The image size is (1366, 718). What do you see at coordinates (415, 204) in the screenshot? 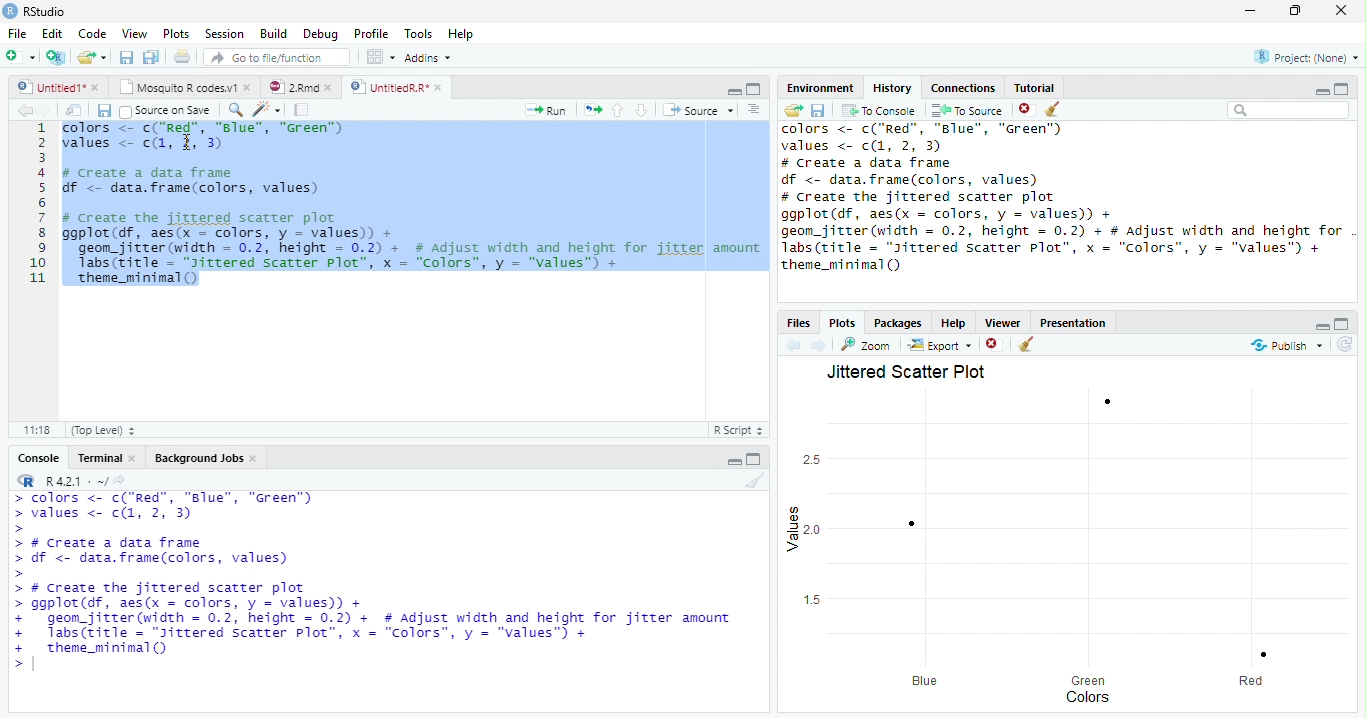
I see `Chlars <= c{ NaS’, Bias", "Wren

values <- (1, 2, 3

¢ Create a data frame

Sf < data.frame(colors, values)

# Create the jittered scatter plot

Ggp1ot (df, aes(x = colors, y = values) +
geom_jitrer (width = 0.2, height = 0.2) + # Adjust width and height for jitter amount
Tabs(zitle = "yitrered Scatter Plot’, x = “Colors”, y = "values”) +
theme_minimal ()` at bounding box center [415, 204].